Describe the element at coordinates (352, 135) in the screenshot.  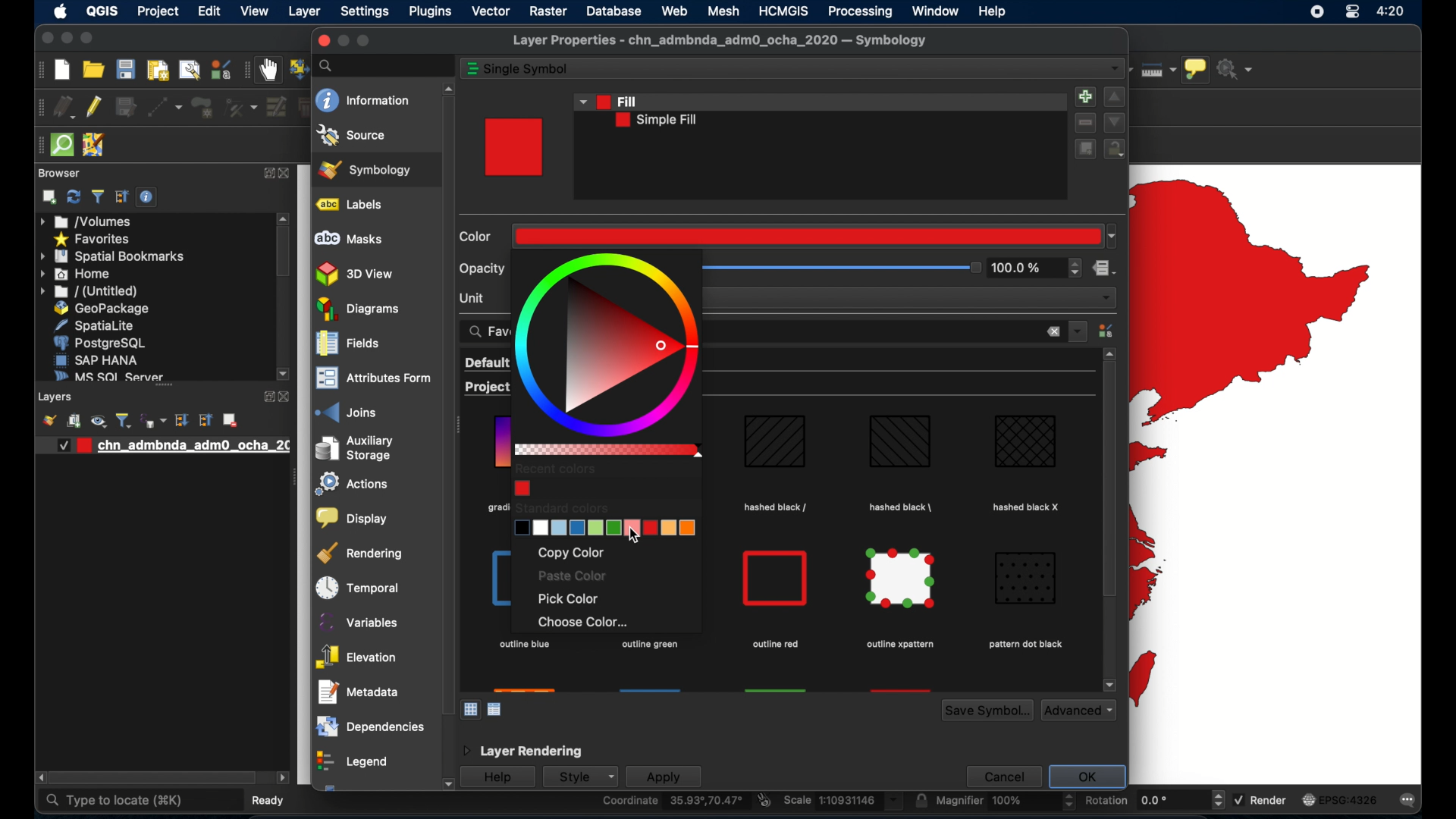
I see `source` at that location.